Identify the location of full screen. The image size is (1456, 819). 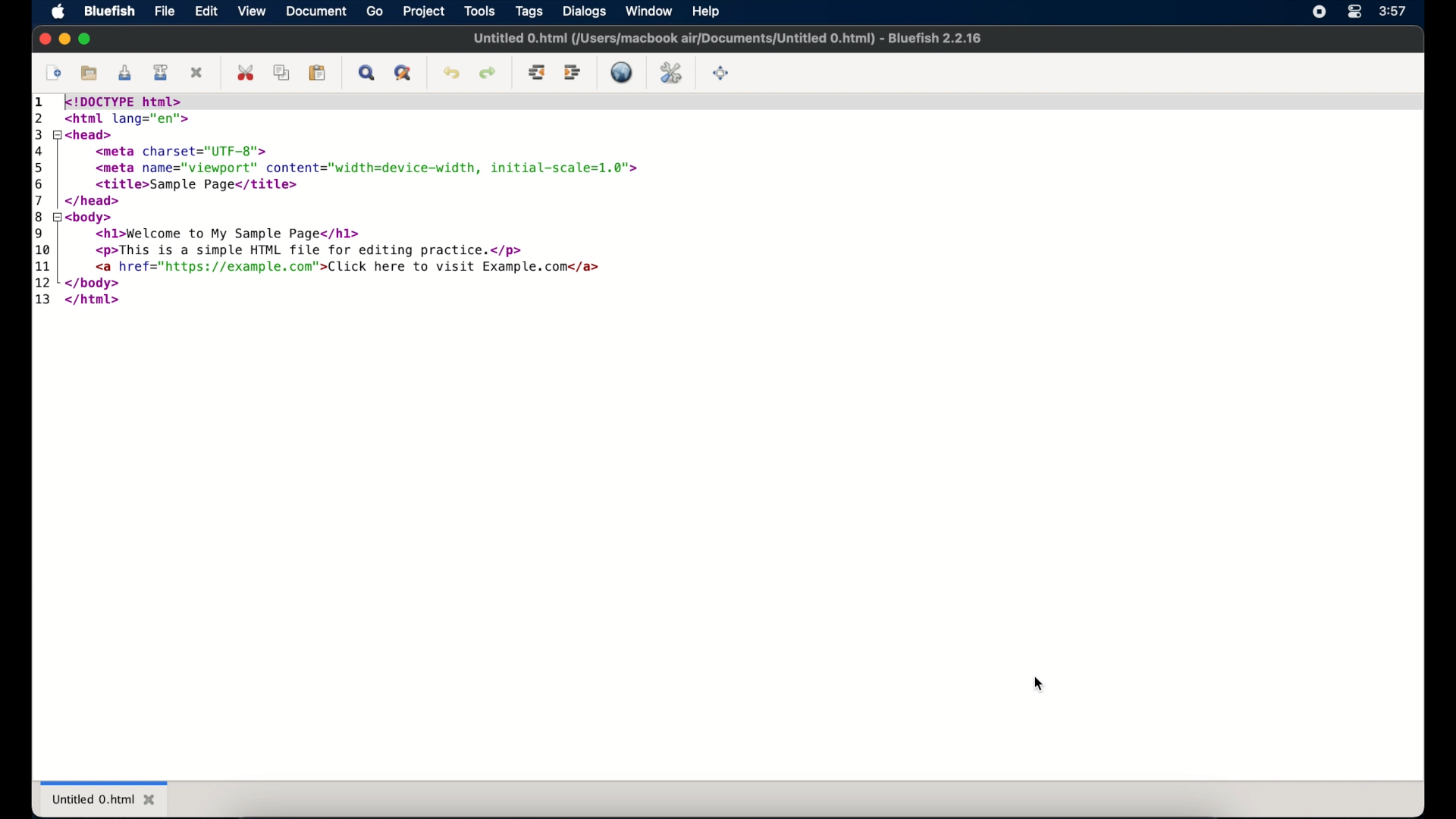
(722, 74).